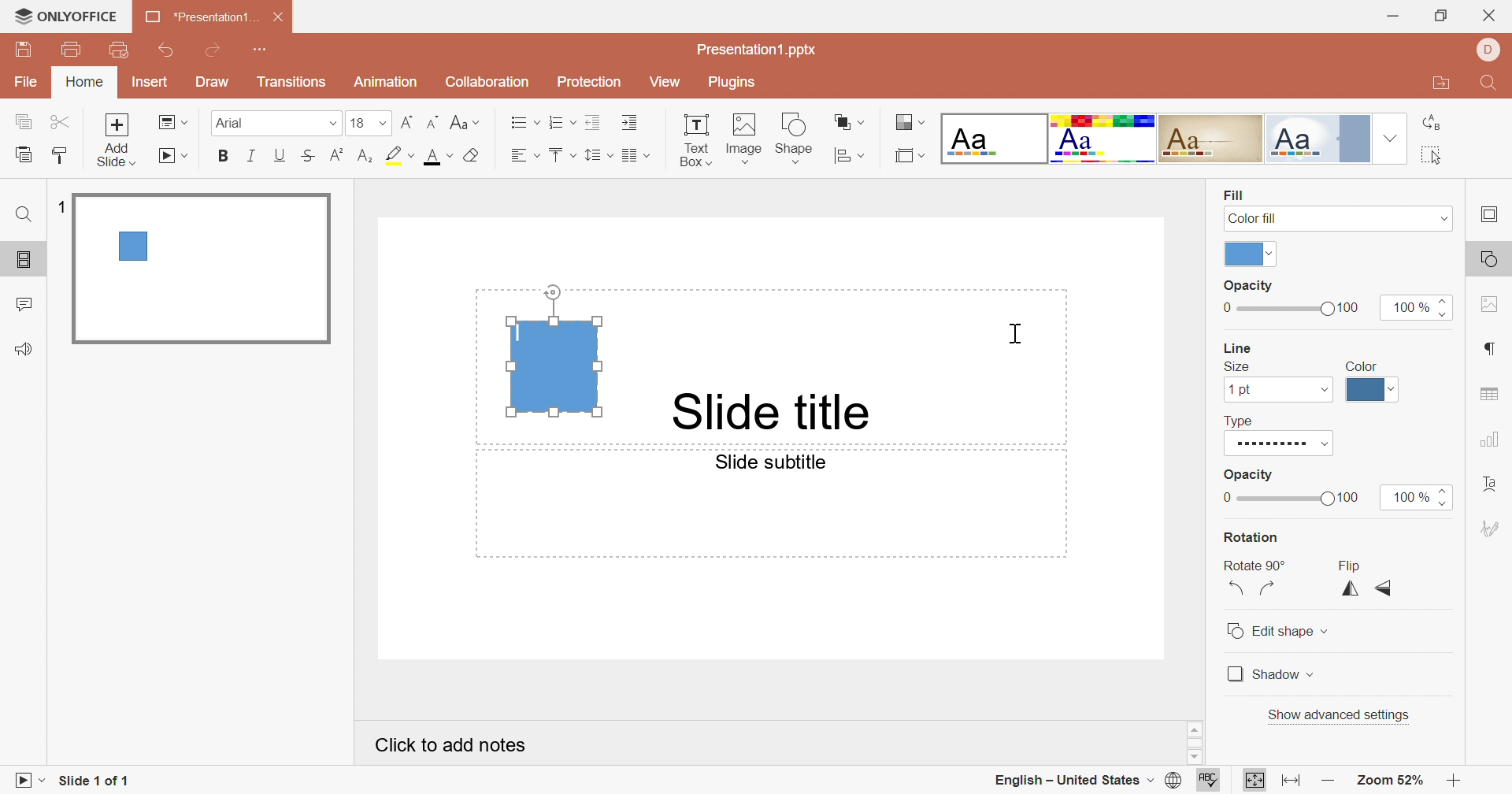 This screenshot has width=1512, height=794. Describe the element at coordinates (993, 140) in the screenshot. I see `Blank` at that location.